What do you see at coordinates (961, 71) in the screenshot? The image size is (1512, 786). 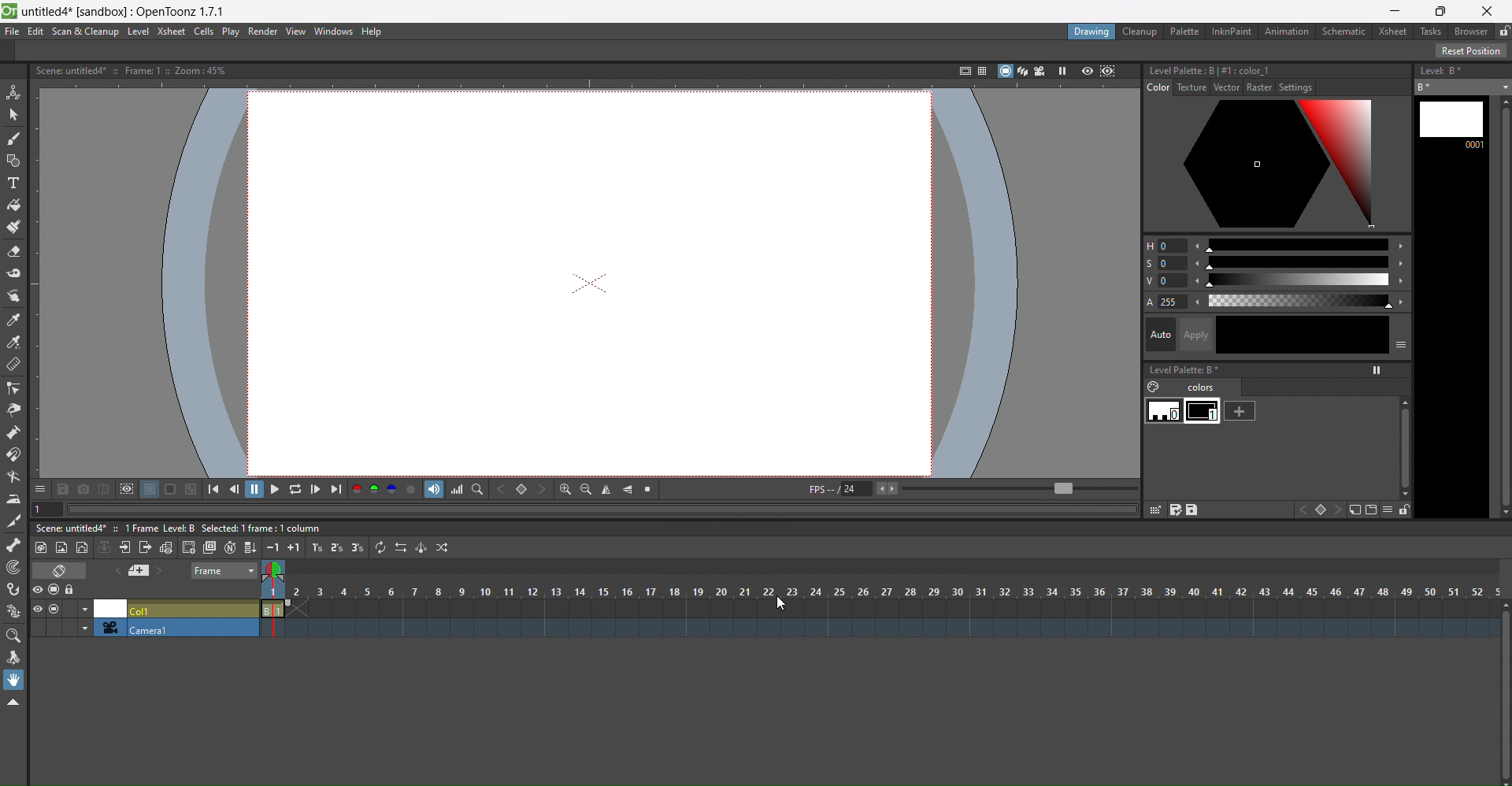 I see `safe area` at bounding box center [961, 71].